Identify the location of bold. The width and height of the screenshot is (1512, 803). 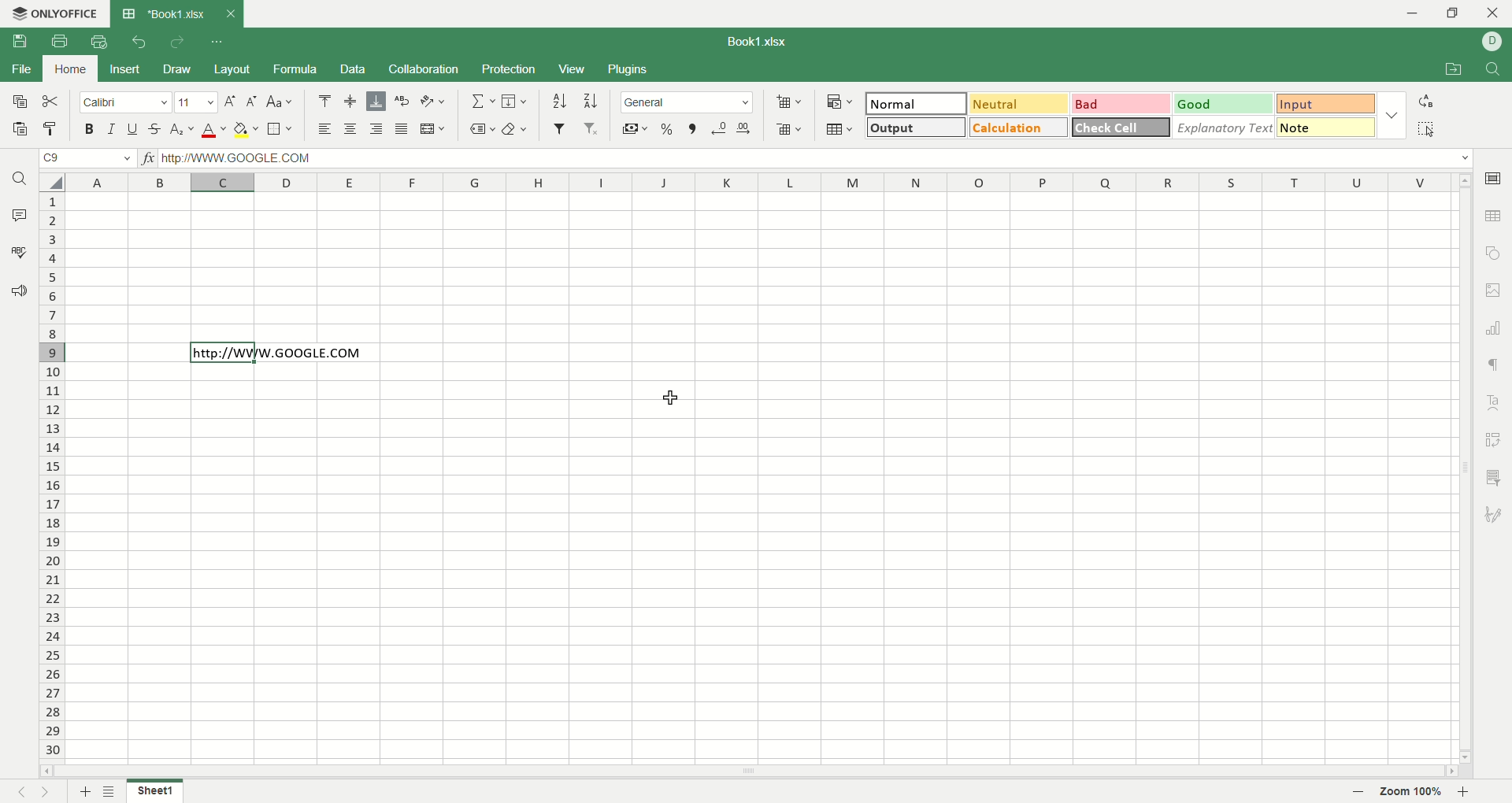
(93, 129).